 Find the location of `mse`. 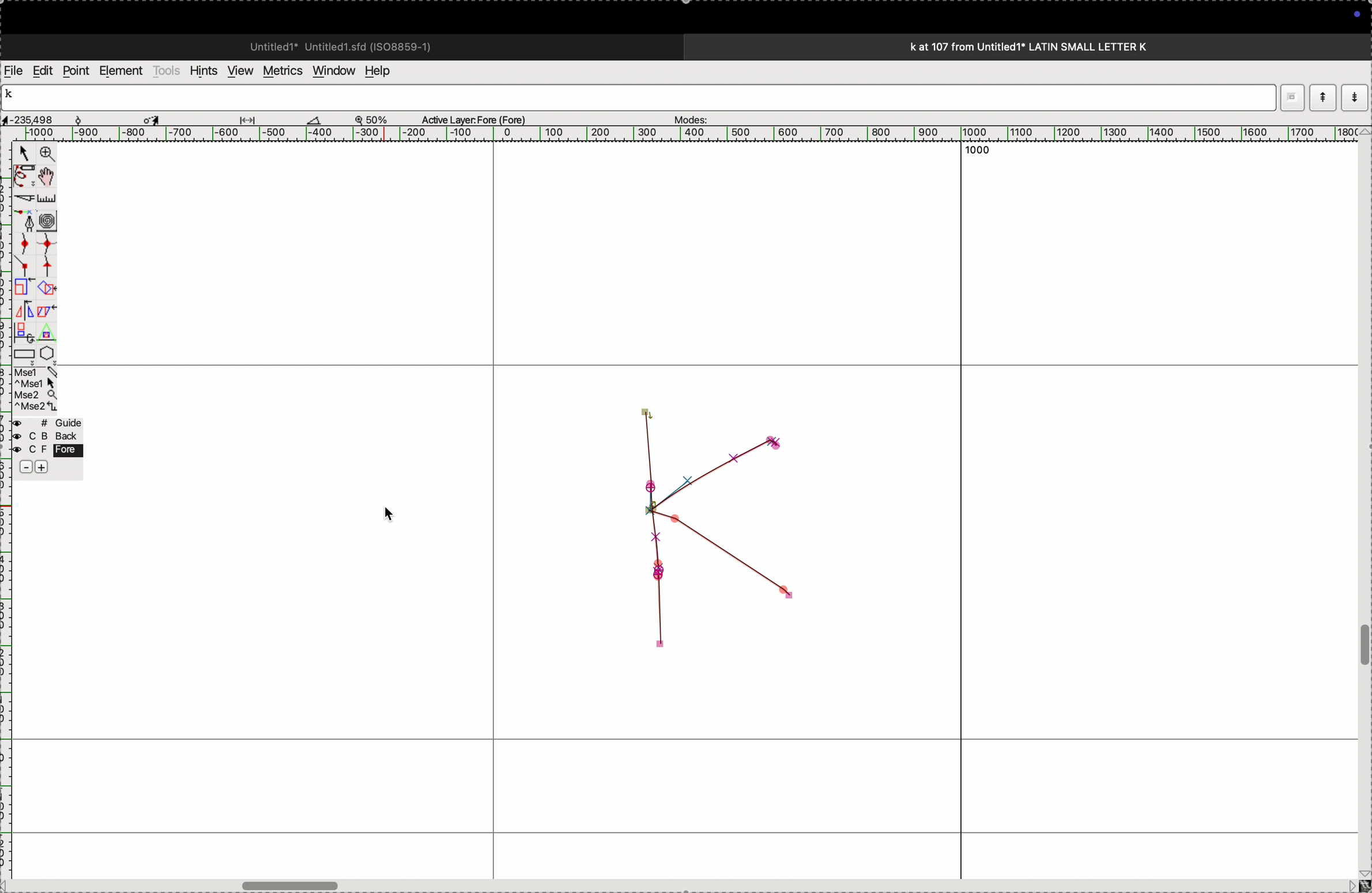

mse is located at coordinates (36, 390).